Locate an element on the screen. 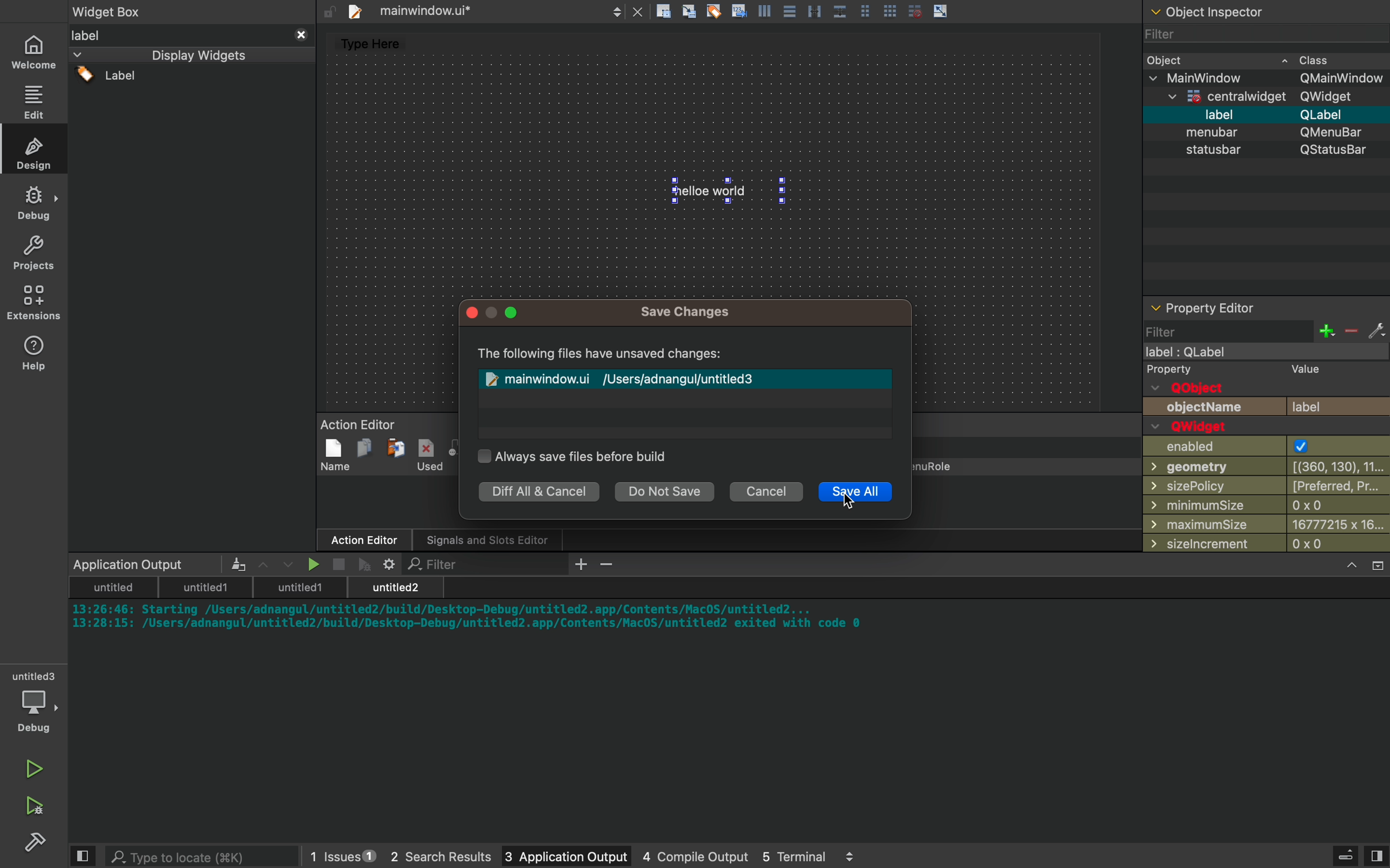   is located at coordinates (1360, 855).